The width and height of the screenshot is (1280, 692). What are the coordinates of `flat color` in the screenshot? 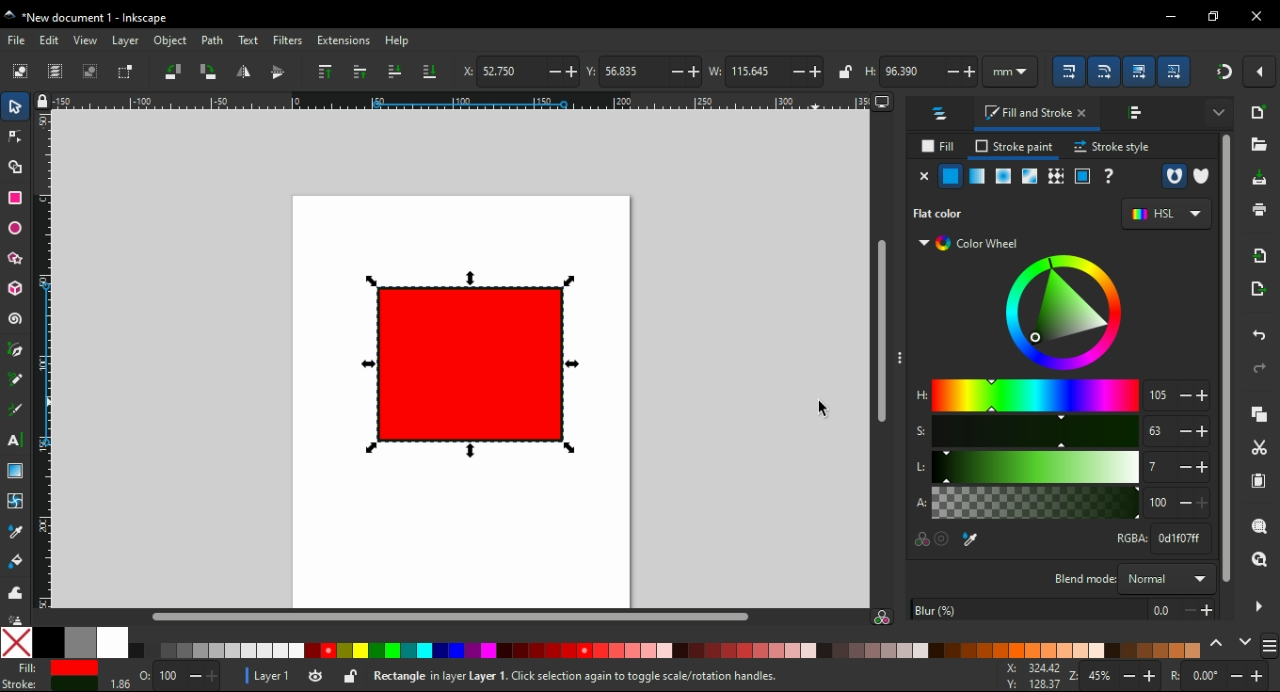 It's located at (951, 176).